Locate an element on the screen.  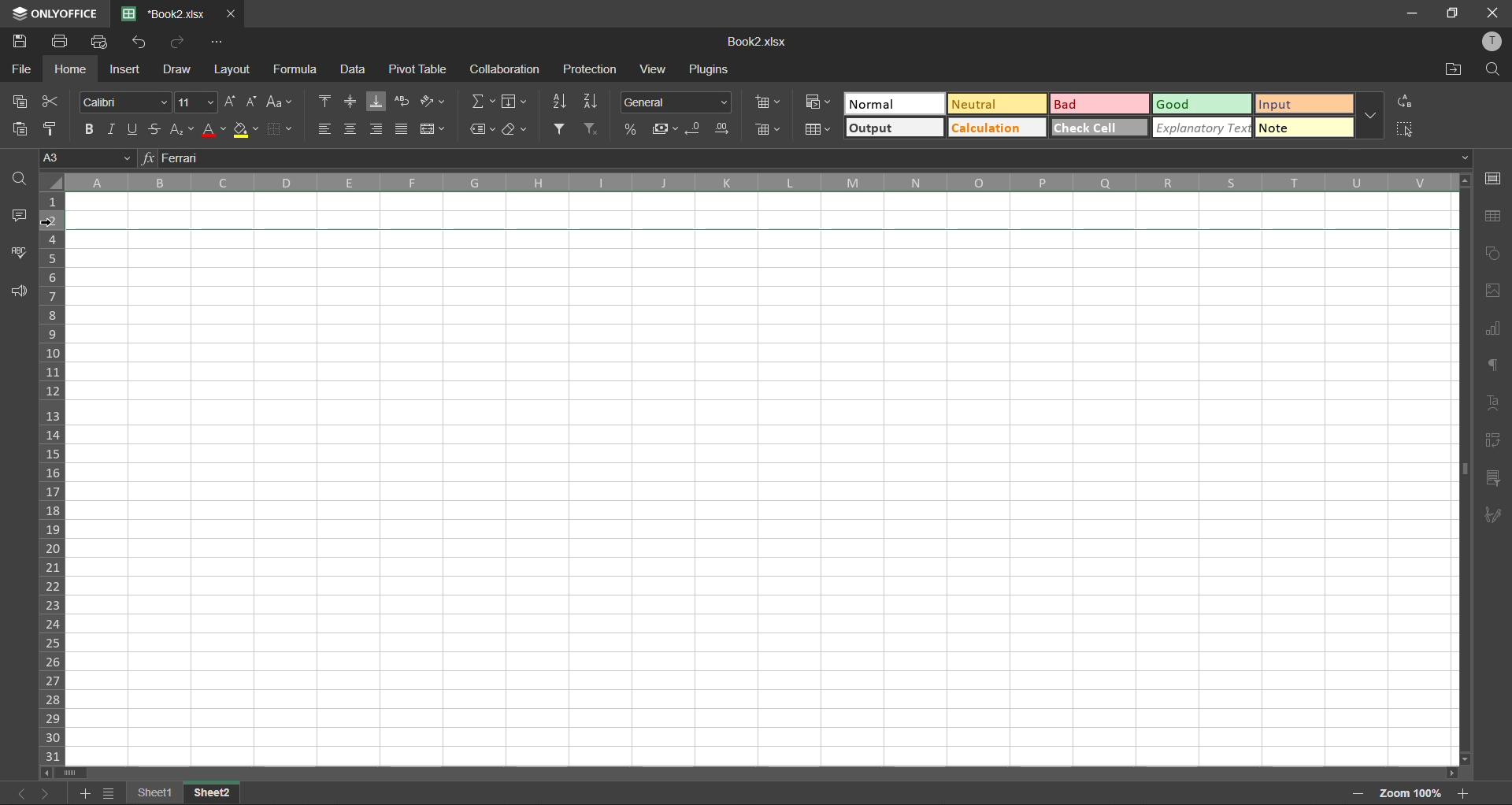
output is located at coordinates (895, 128).